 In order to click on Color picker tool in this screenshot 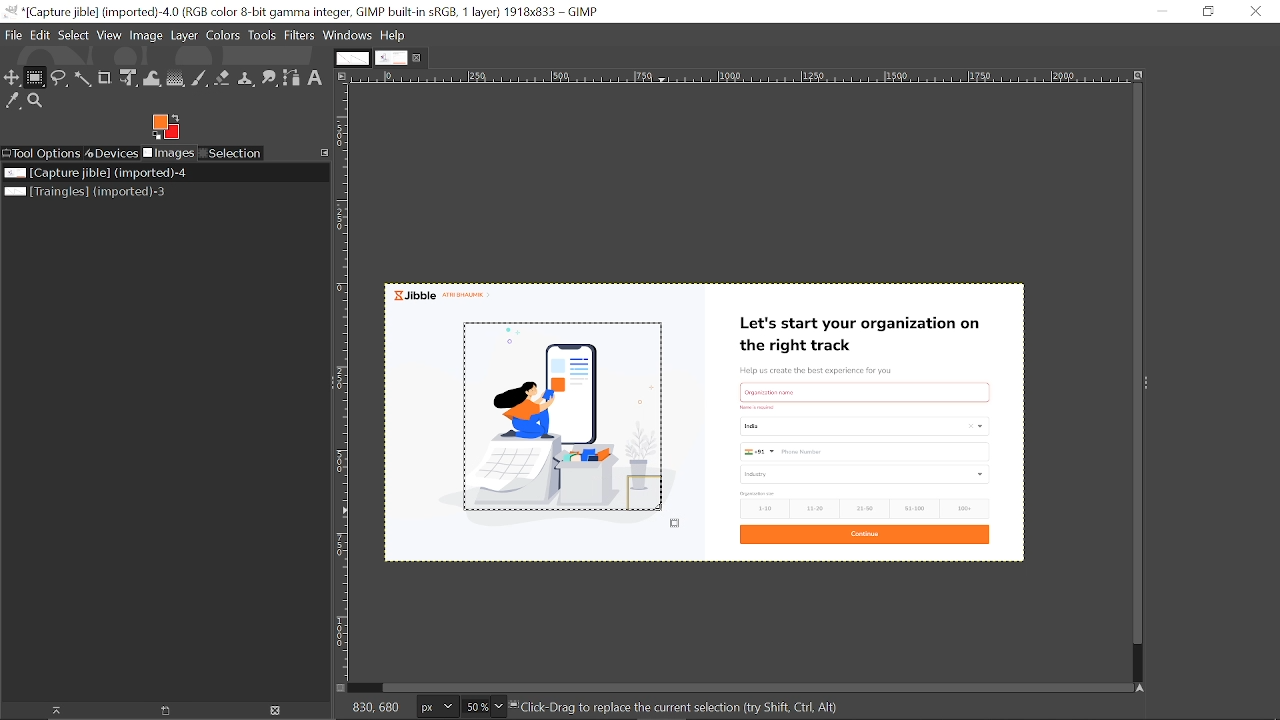, I will do `click(11, 104)`.